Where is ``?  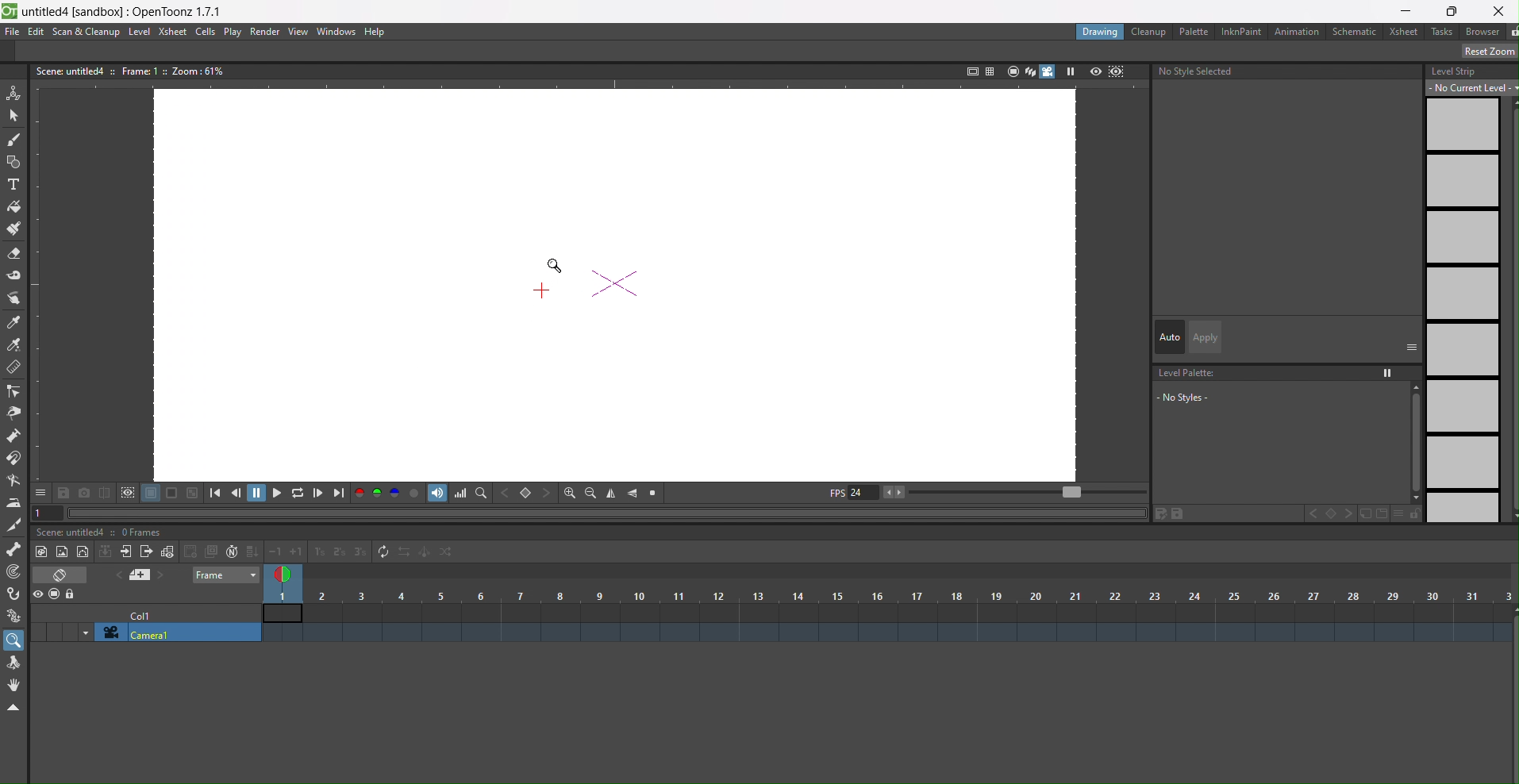
 is located at coordinates (46, 594).